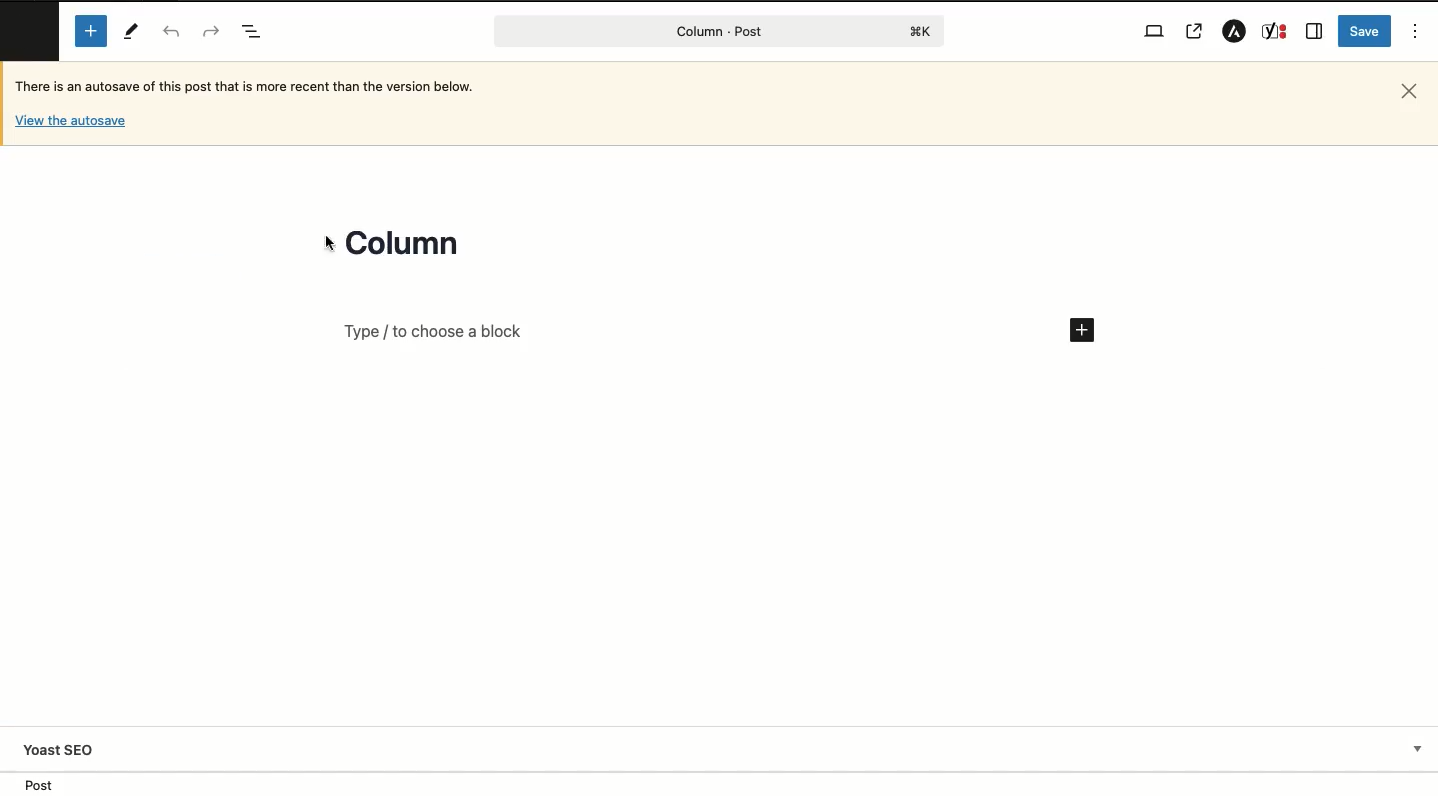 Image resolution: width=1438 pixels, height=796 pixels. What do you see at coordinates (1365, 31) in the screenshot?
I see `Save` at bounding box center [1365, 31].